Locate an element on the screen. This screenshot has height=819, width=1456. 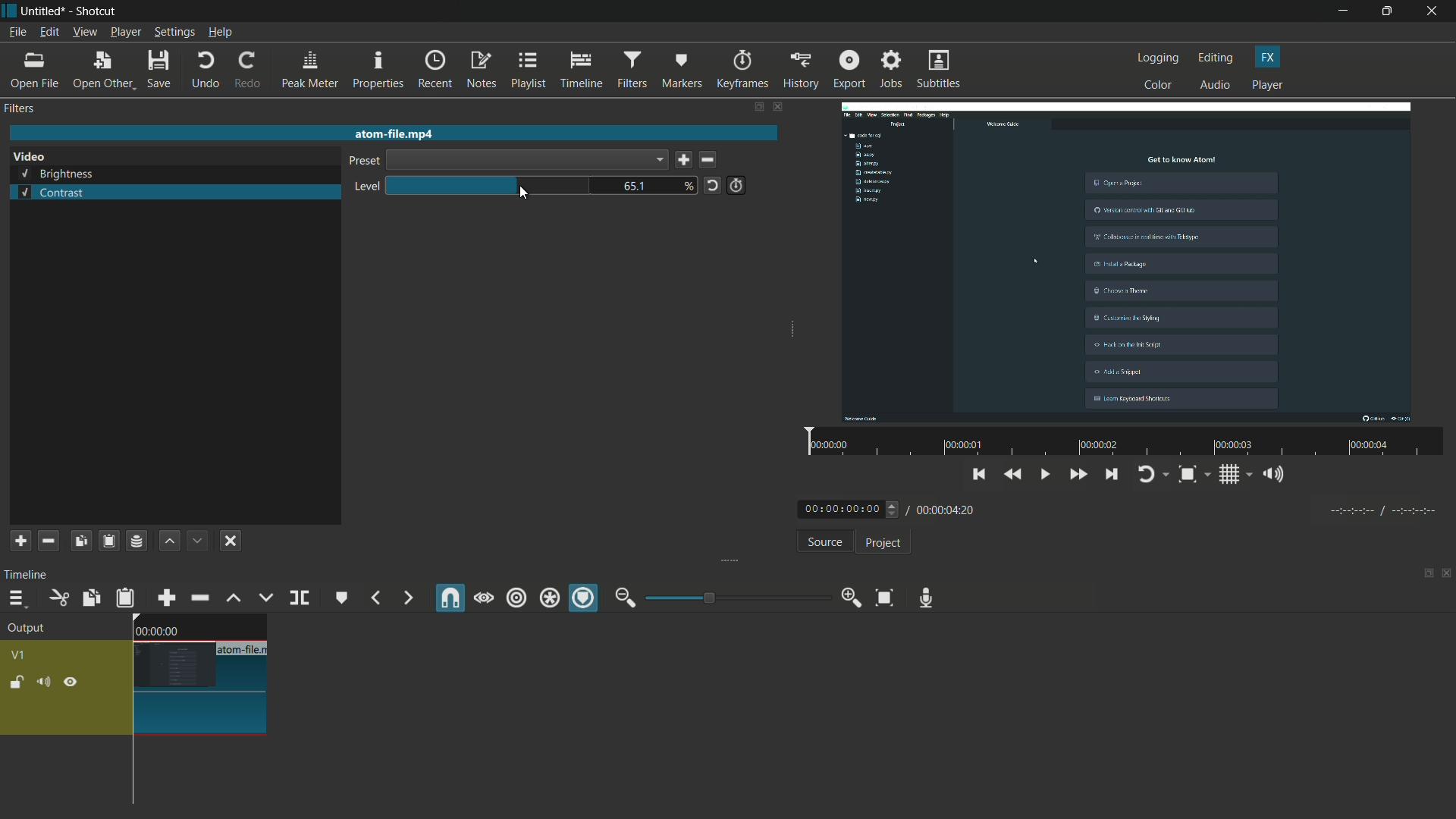
markers is located at coordinates (682, 69).